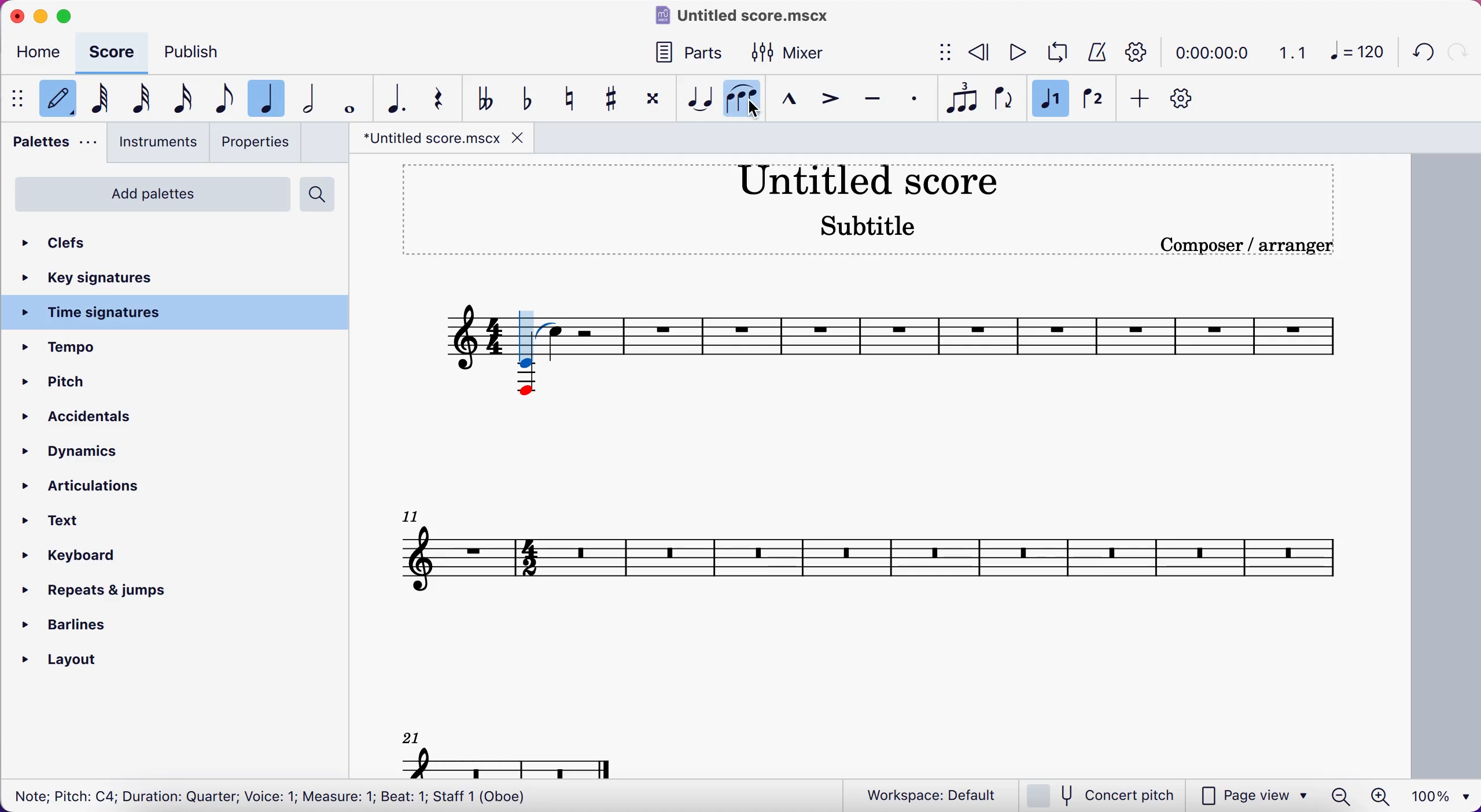 Image resolution: width=1481 pixels, height=812 pixels. I want to click on properties, so click(260, 143).